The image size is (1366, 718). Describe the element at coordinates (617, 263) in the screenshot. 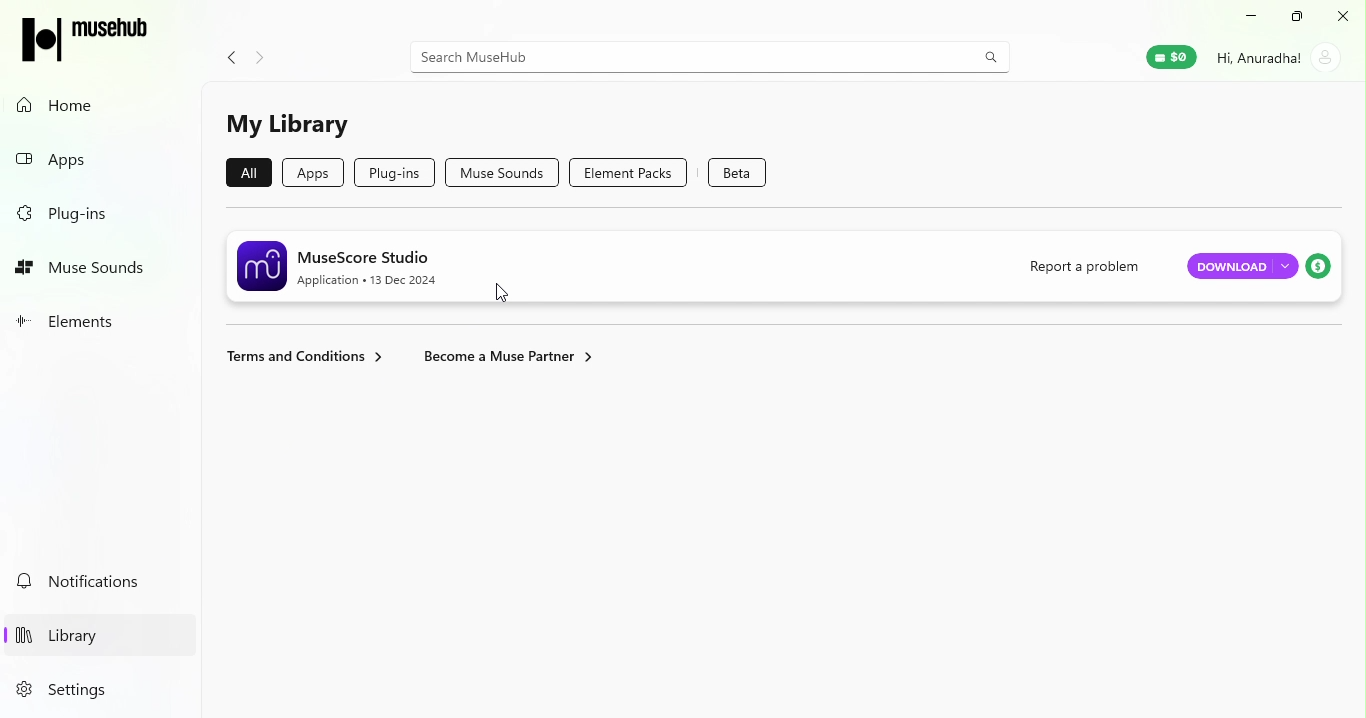

I see `MuseScore studio app` at that location.